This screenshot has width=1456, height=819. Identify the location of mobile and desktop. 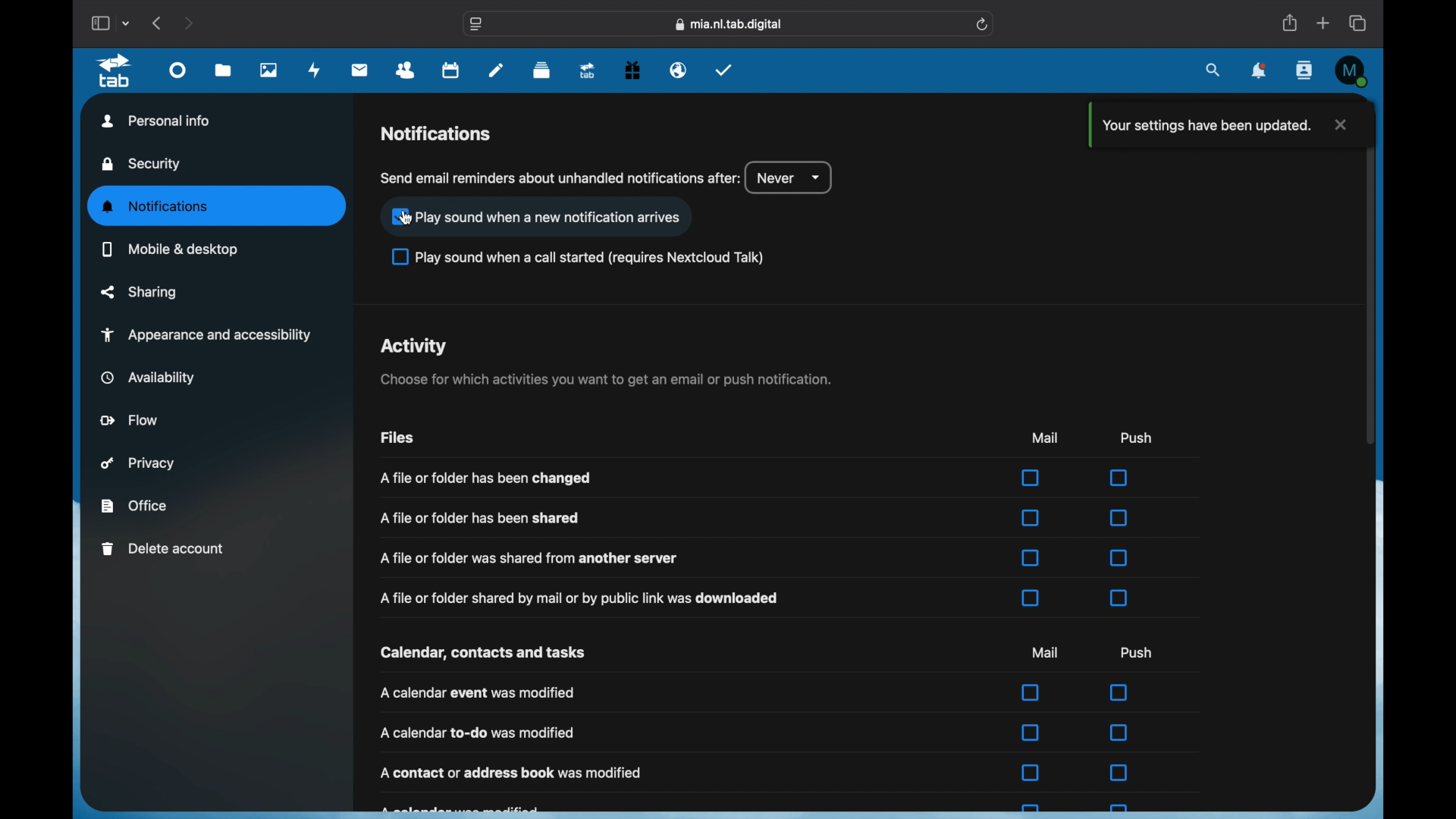
(170, 250).